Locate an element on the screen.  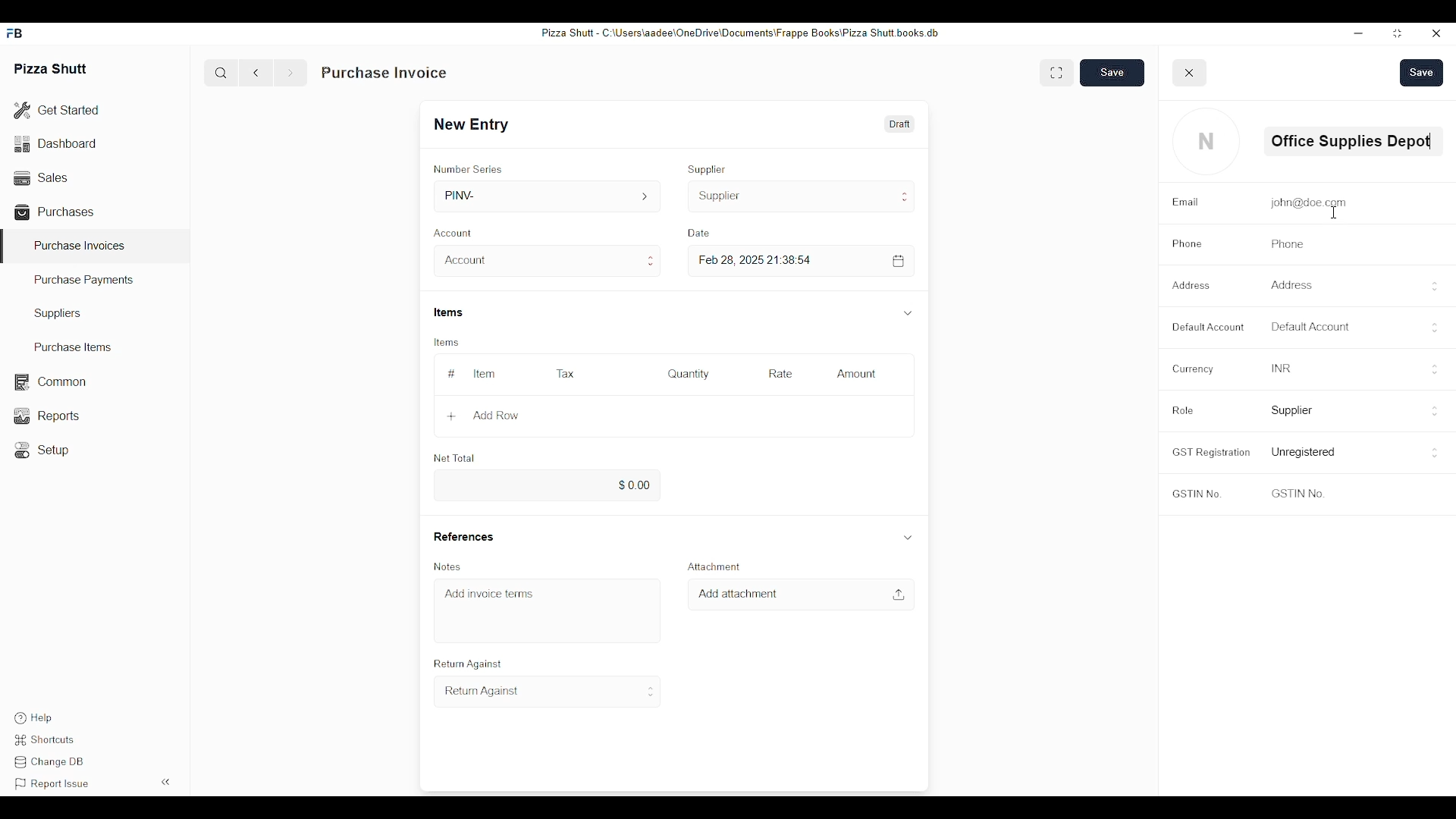
# is located at coordinates (452, 374).